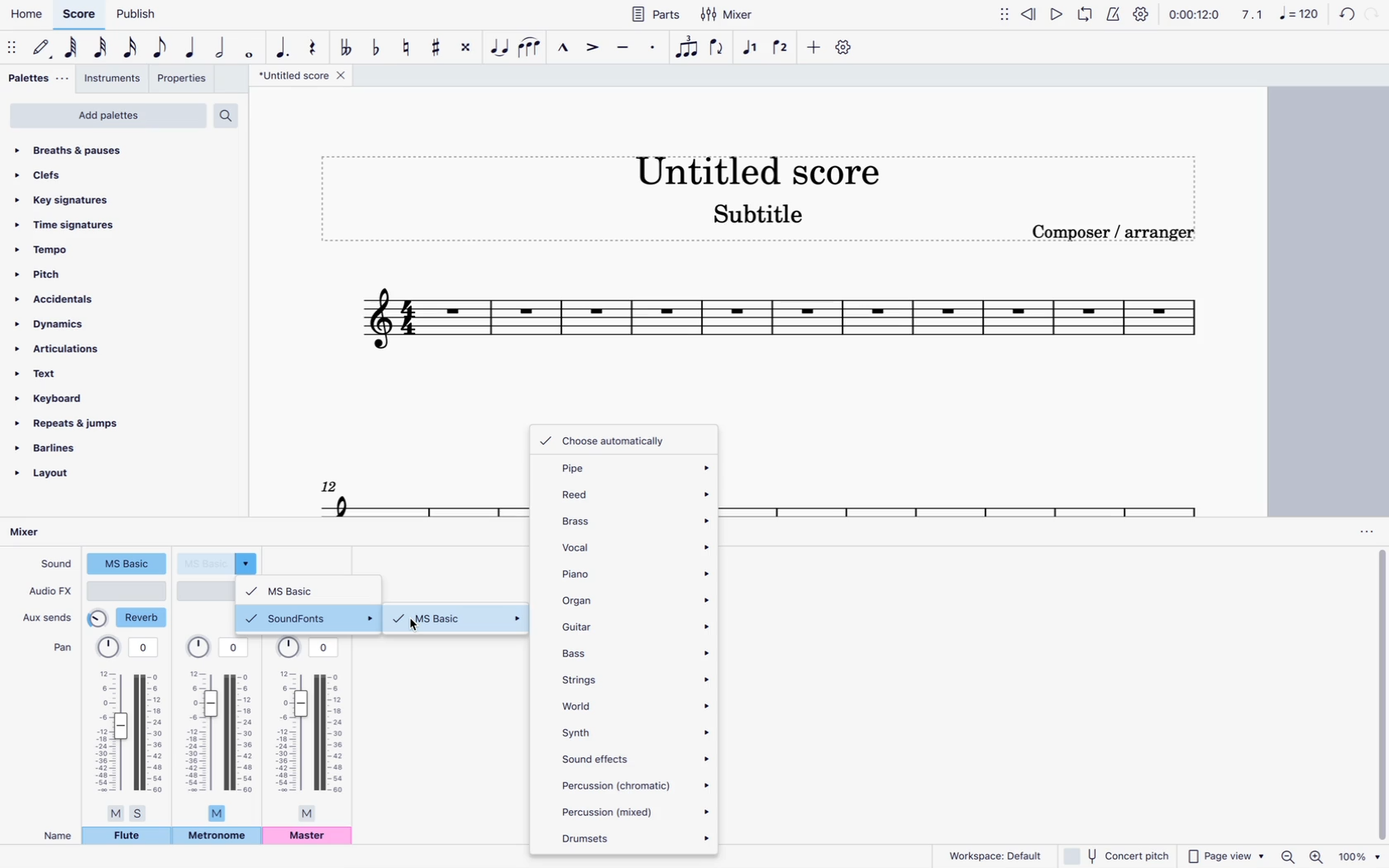 Image resolution: width=1389 pixels, height=868 pixels. Describe the element at coordinates (185, 81) in the screenshot. I see `properties` at that location.